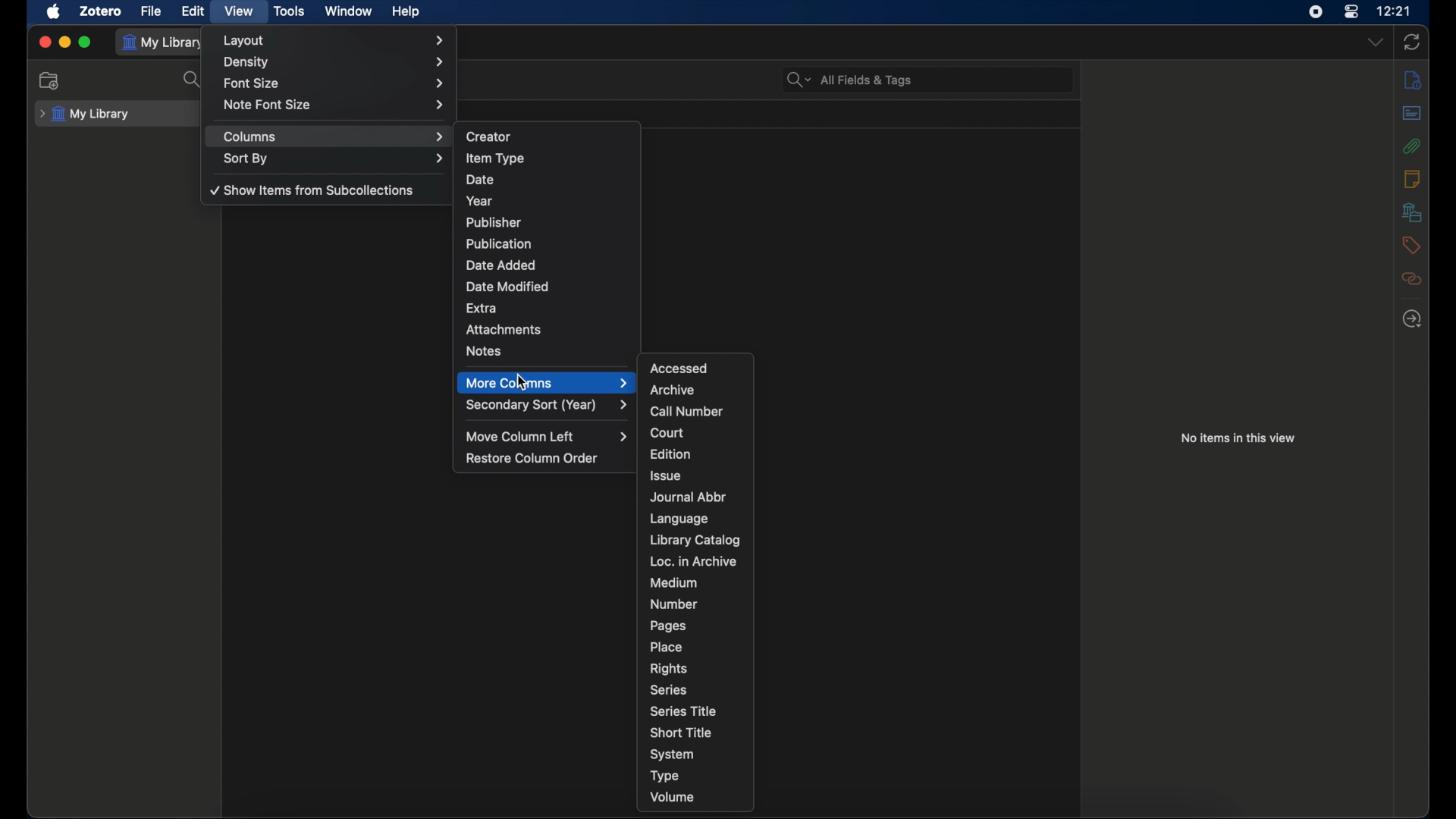  What do you see at coordinates (1237, 438) in the screenshot?
I see `no items in this view` at bounding box center [1237, 438].